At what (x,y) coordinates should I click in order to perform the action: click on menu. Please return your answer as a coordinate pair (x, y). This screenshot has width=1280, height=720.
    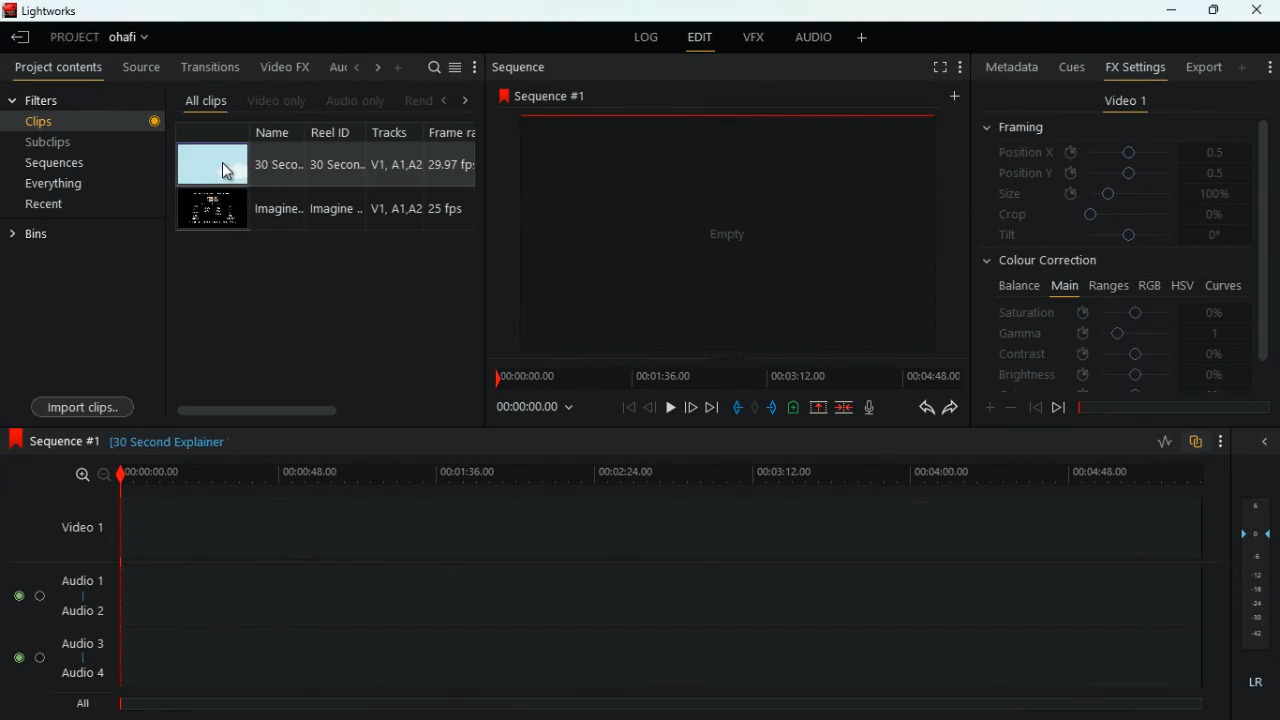
    Looking at the image, I should click on (457, 66).